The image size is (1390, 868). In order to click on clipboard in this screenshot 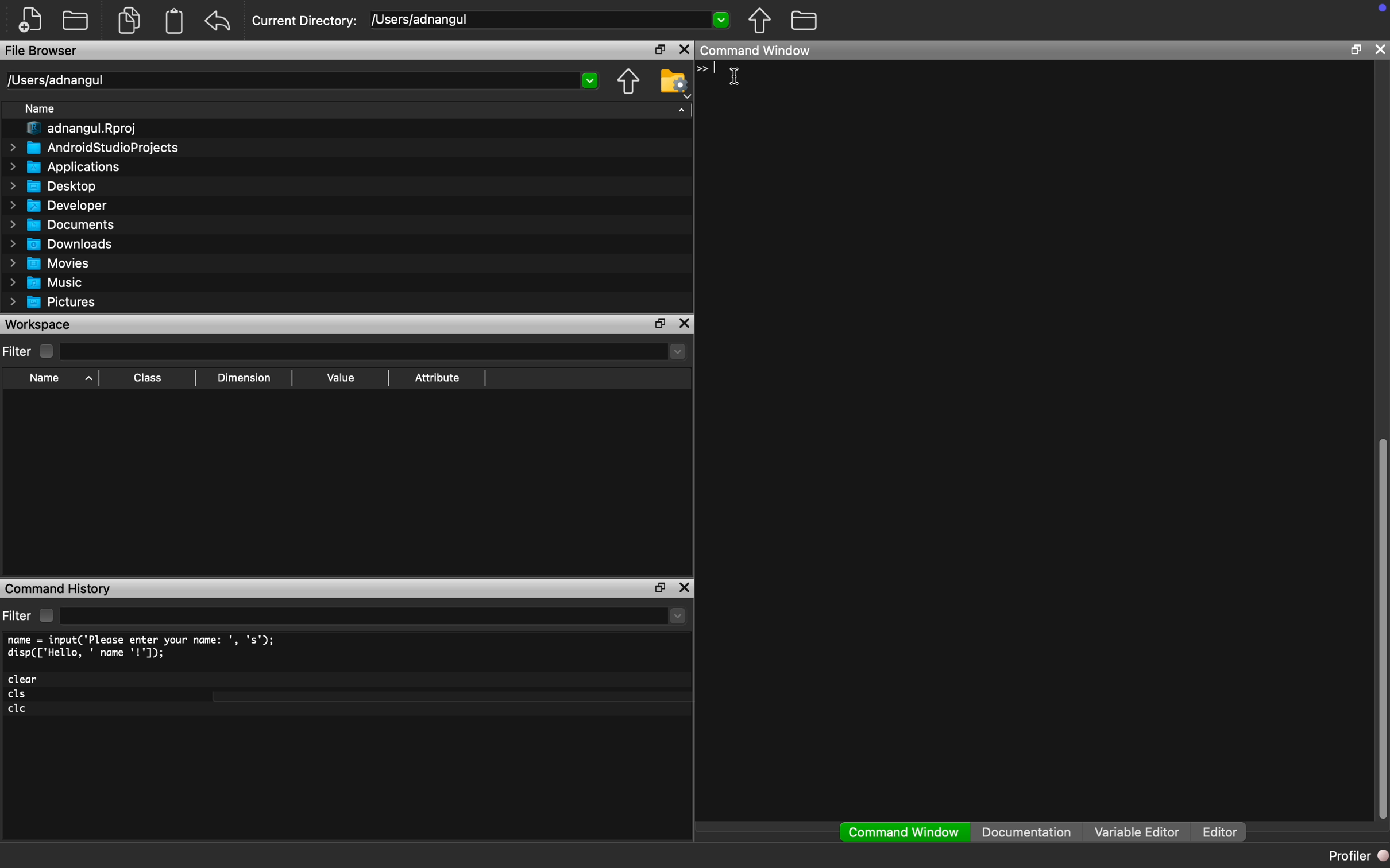, I will do `click(175, 21)`.